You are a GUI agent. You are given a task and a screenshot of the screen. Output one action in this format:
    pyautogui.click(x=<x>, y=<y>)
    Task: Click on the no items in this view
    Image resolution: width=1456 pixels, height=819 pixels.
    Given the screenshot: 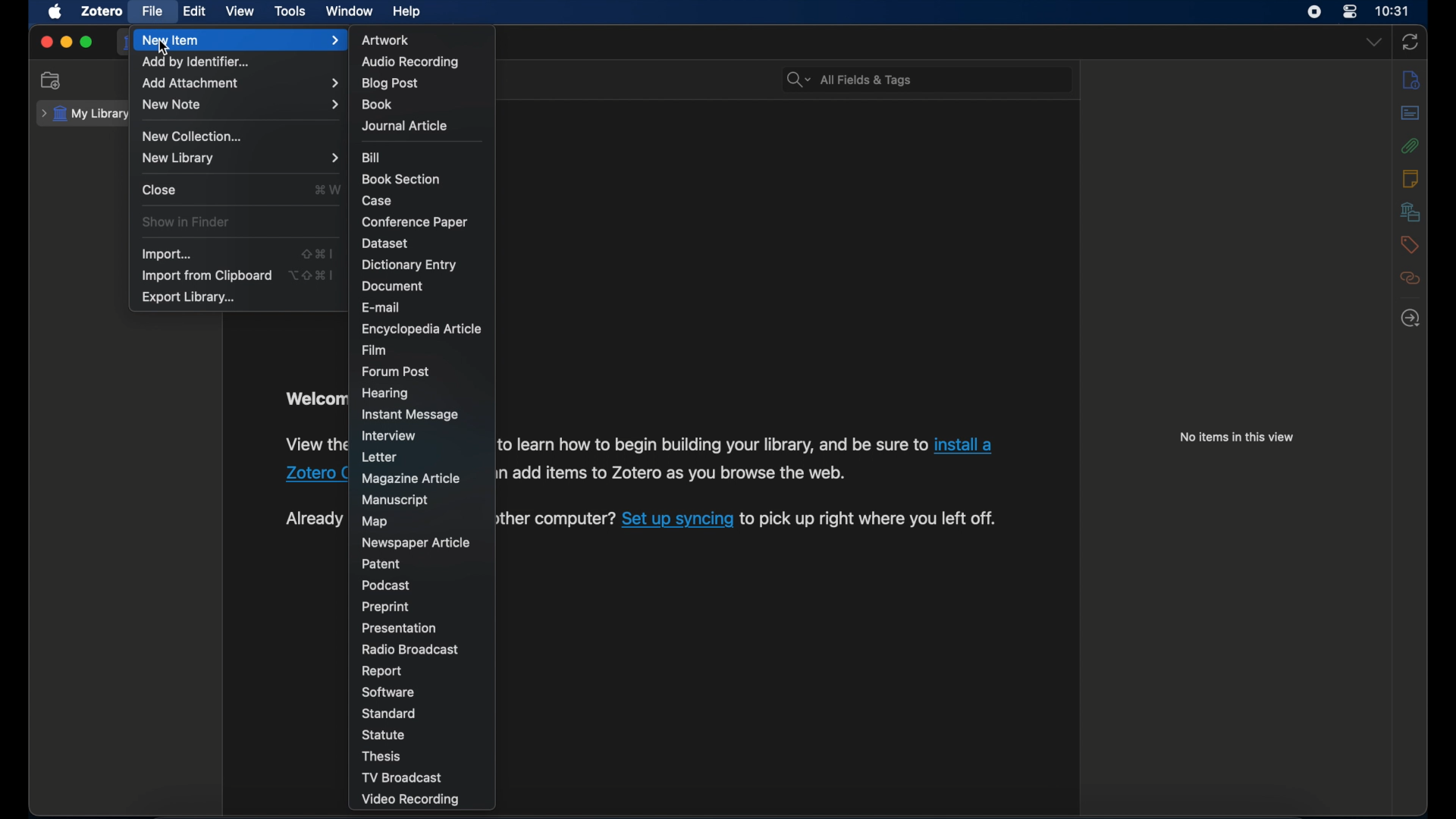 What is the action you would take?
    pyautogui.click(x=1236, y=438)
    